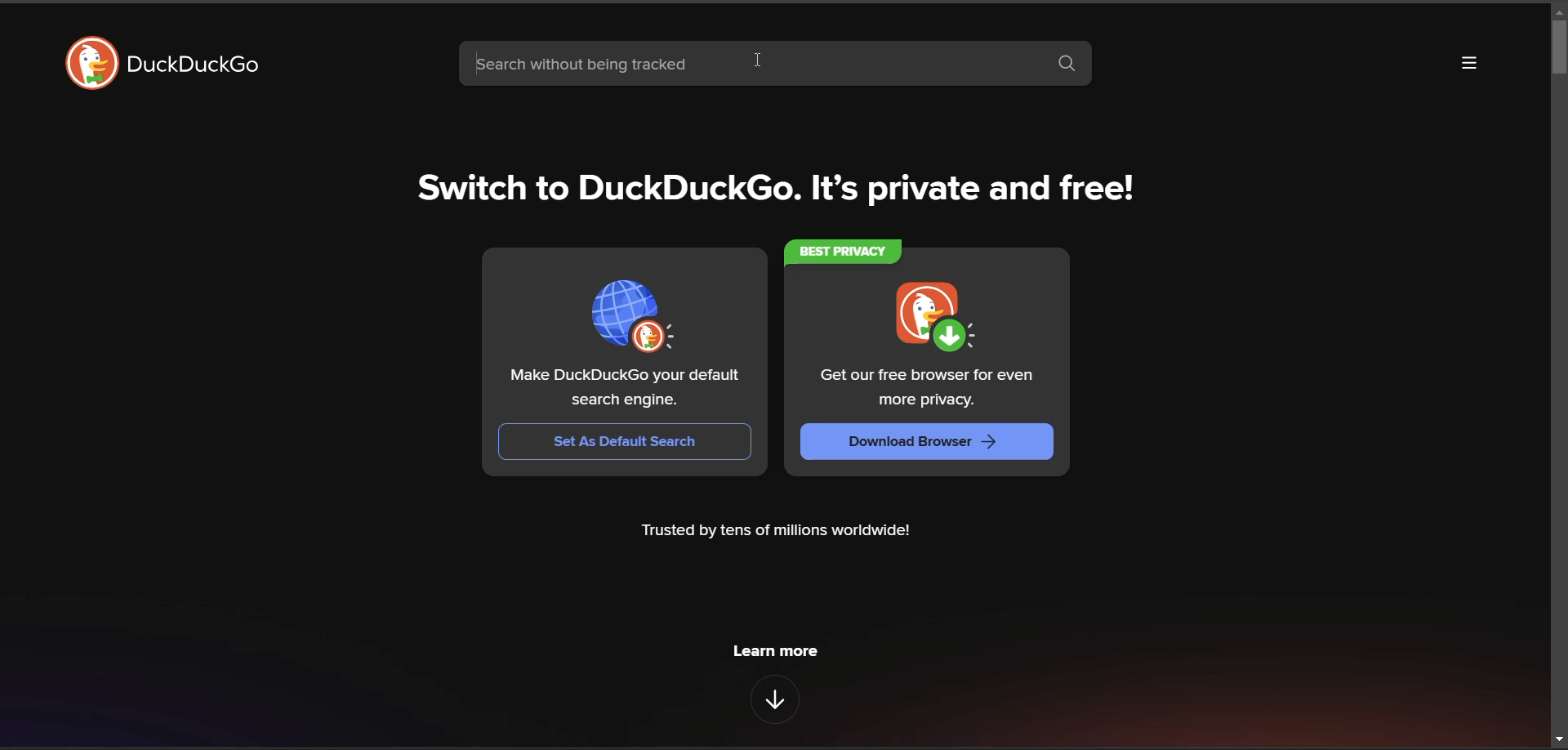 This screenshot has width=1568, height=750. Describe the element at coordinates (757, 61) in the screenshot. I see `cursor` at that location.